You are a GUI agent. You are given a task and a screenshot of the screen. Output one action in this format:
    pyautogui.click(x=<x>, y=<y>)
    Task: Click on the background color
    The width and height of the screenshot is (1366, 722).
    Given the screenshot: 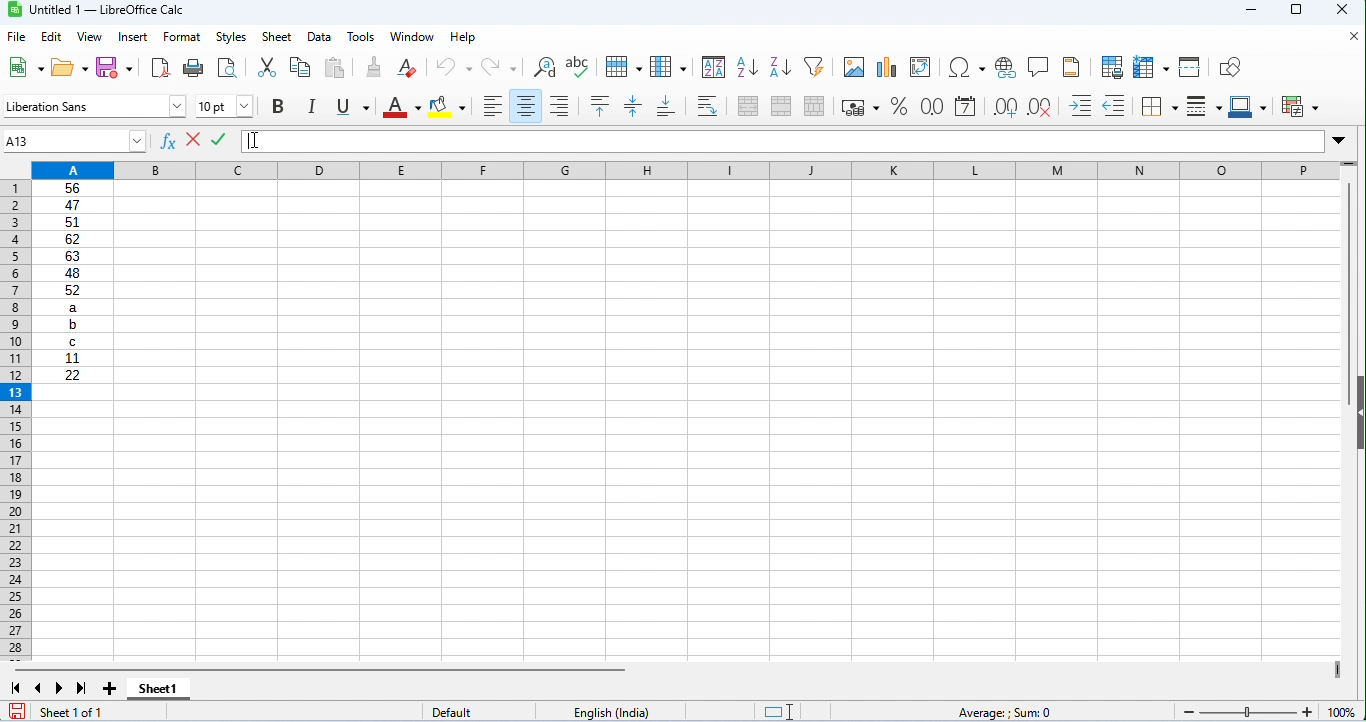 What is the action you would take?
    pyautogui.click(x=449, y=106)
    